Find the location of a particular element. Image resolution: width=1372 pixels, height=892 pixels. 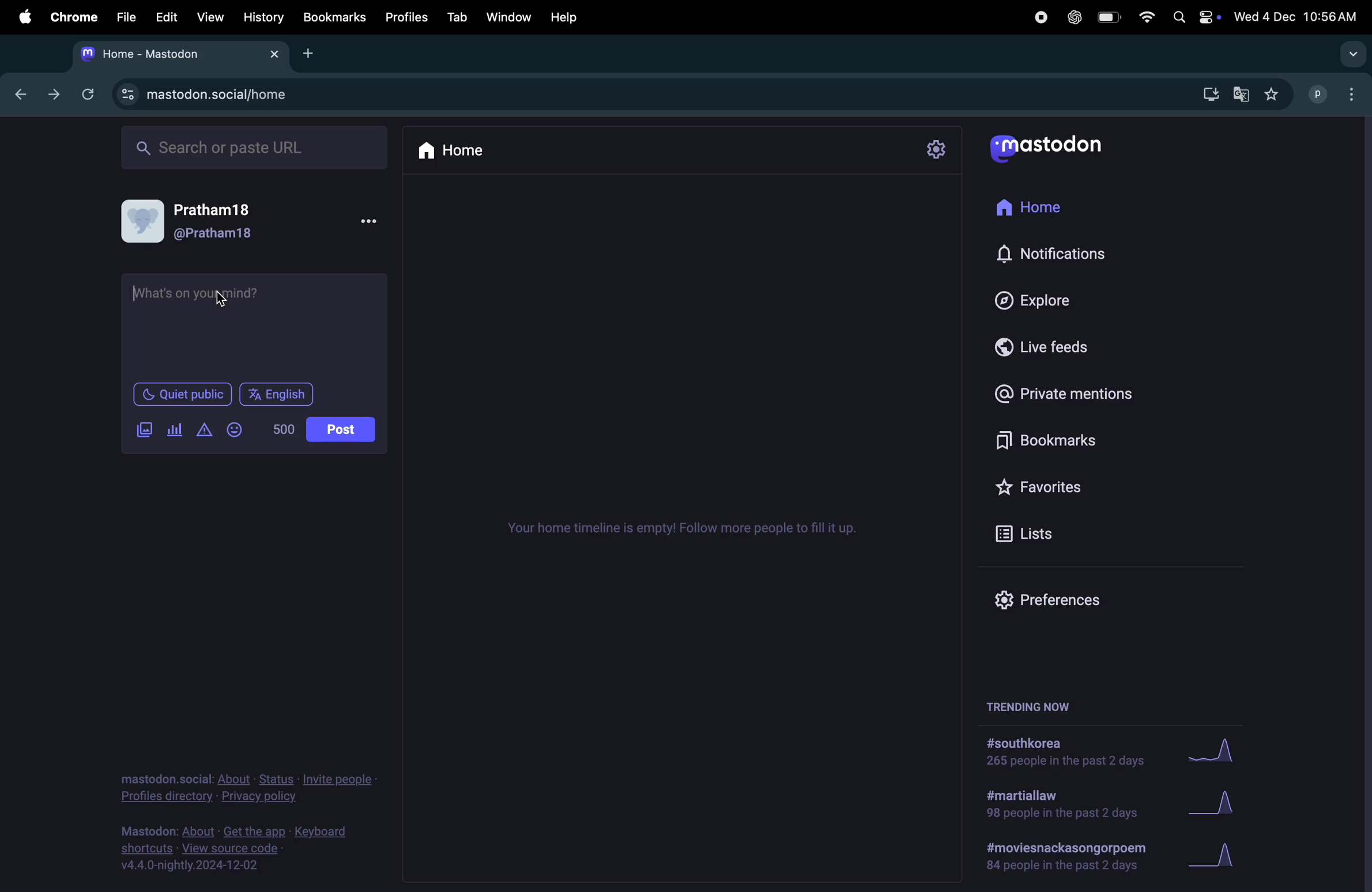

favourites is located at coordinates (1273, 93).